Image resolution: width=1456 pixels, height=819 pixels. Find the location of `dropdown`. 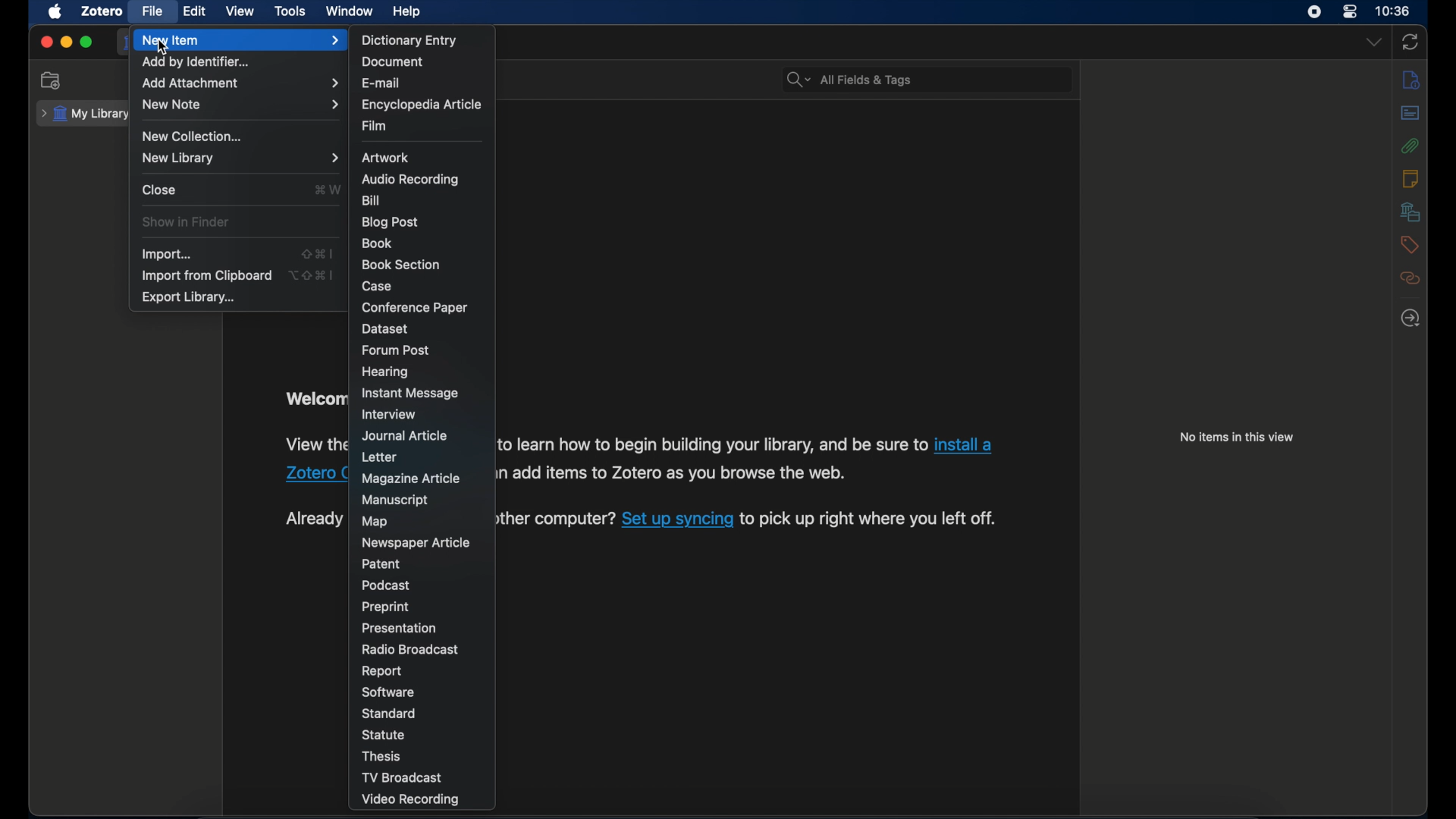

dropdown is located at coordinates (1373, 42).